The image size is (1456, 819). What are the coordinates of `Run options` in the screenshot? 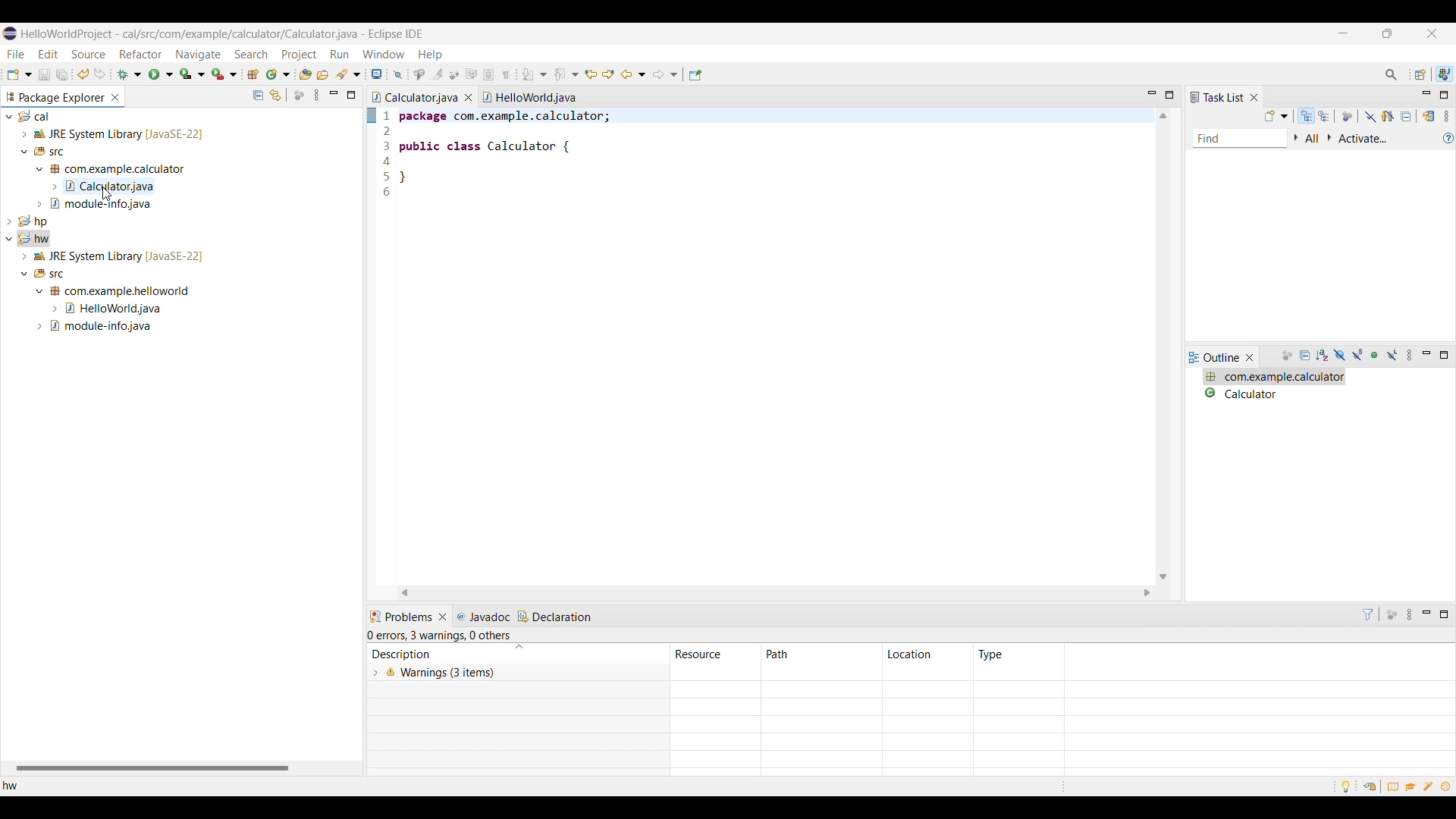 It's located at (161, 74).